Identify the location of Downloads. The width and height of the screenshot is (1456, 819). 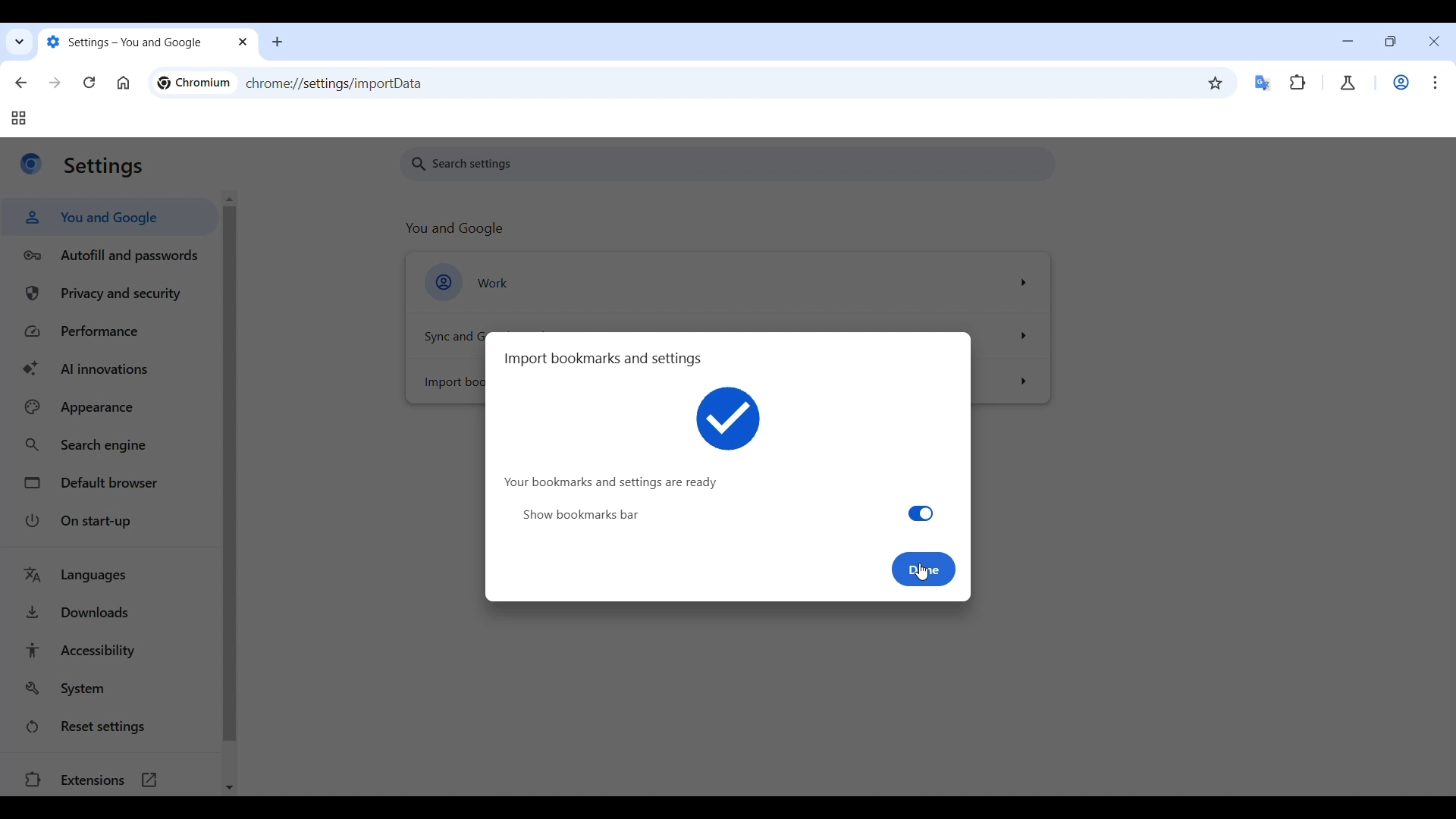
(110, 612).